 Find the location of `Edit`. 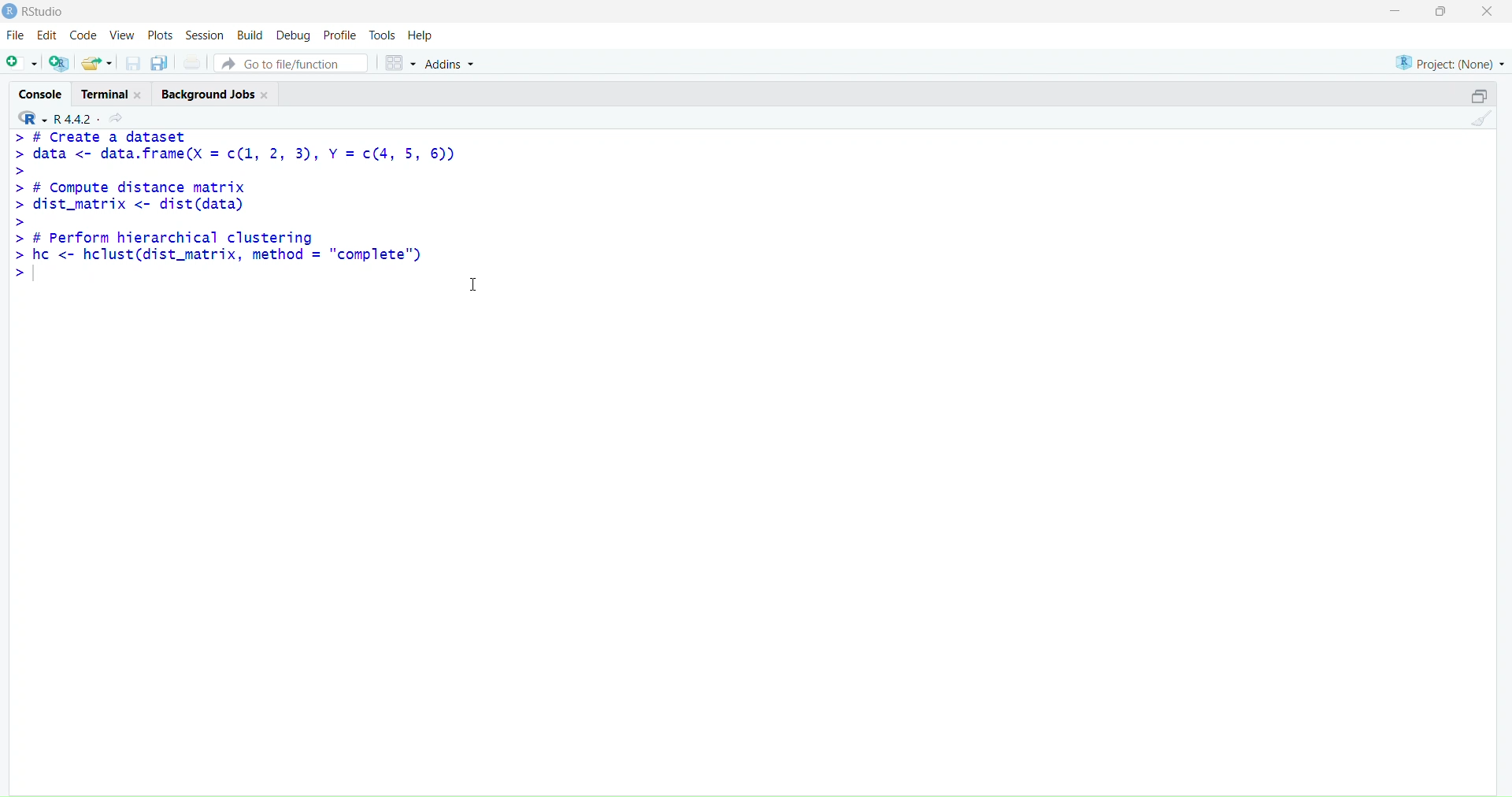

Edit is located at coordinates (50, 35).